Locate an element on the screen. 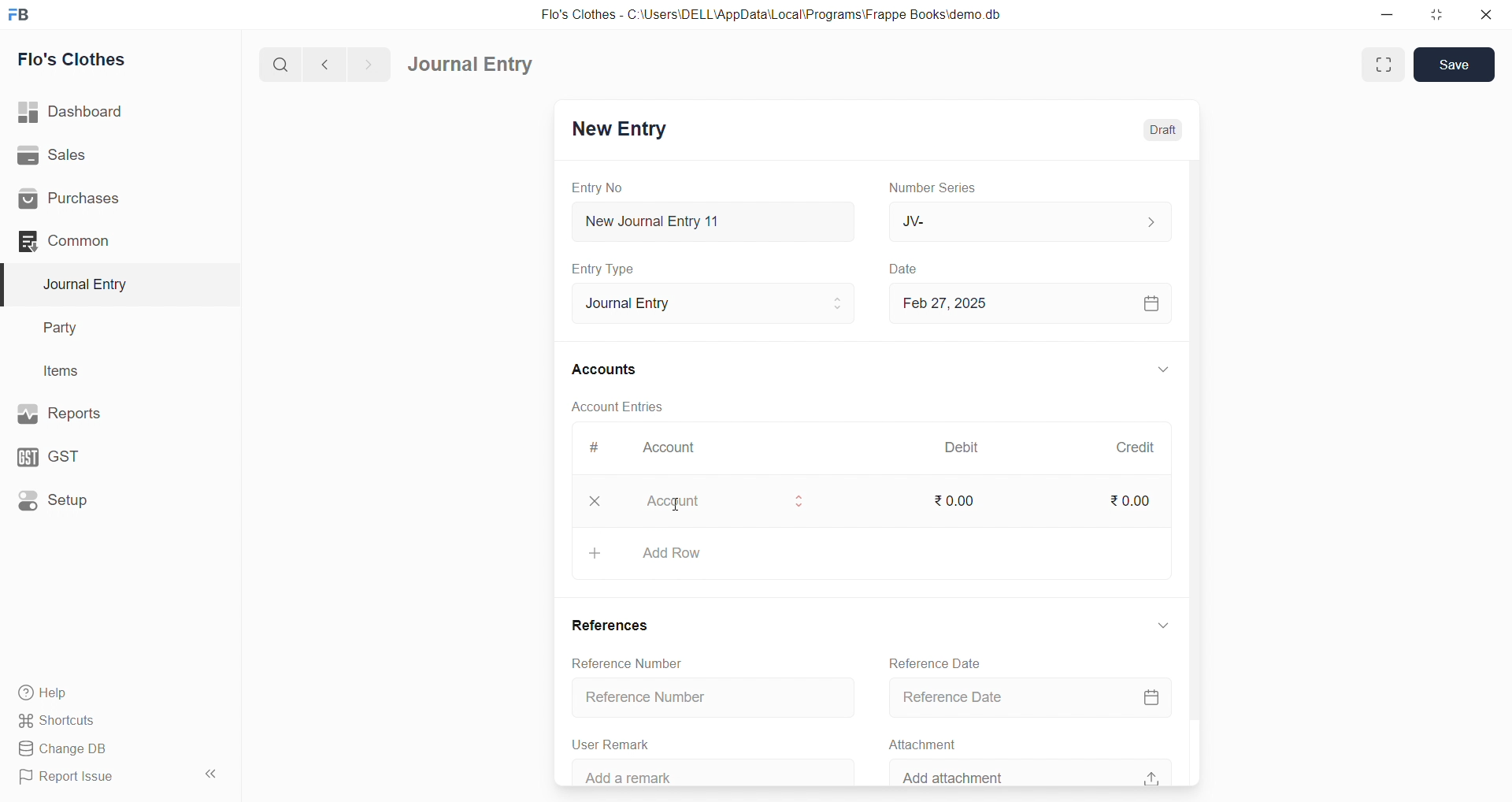  User Remark is located at coordinates (617, 744).